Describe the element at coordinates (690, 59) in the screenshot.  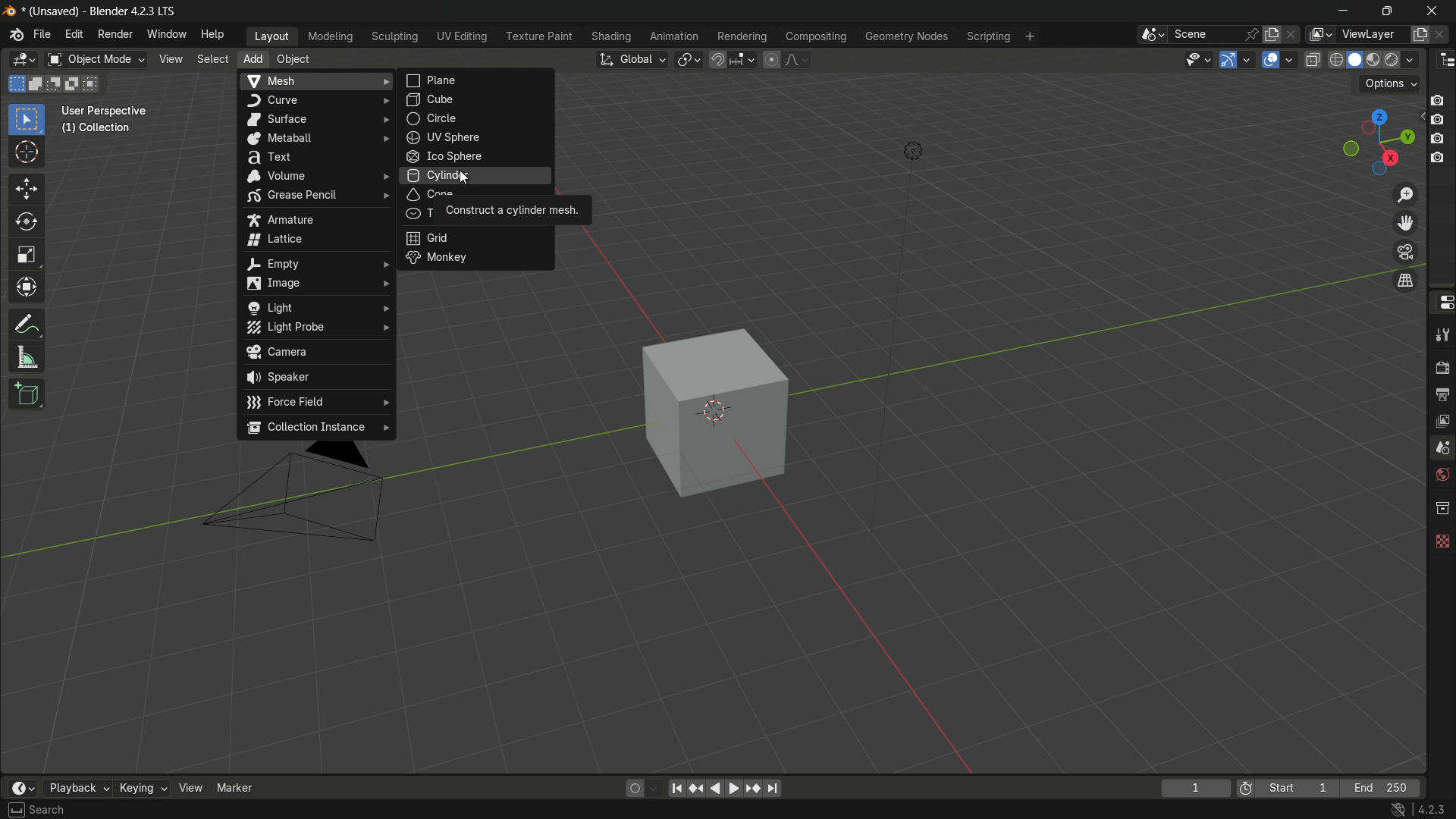
I see `transformation pivot table` at that location.